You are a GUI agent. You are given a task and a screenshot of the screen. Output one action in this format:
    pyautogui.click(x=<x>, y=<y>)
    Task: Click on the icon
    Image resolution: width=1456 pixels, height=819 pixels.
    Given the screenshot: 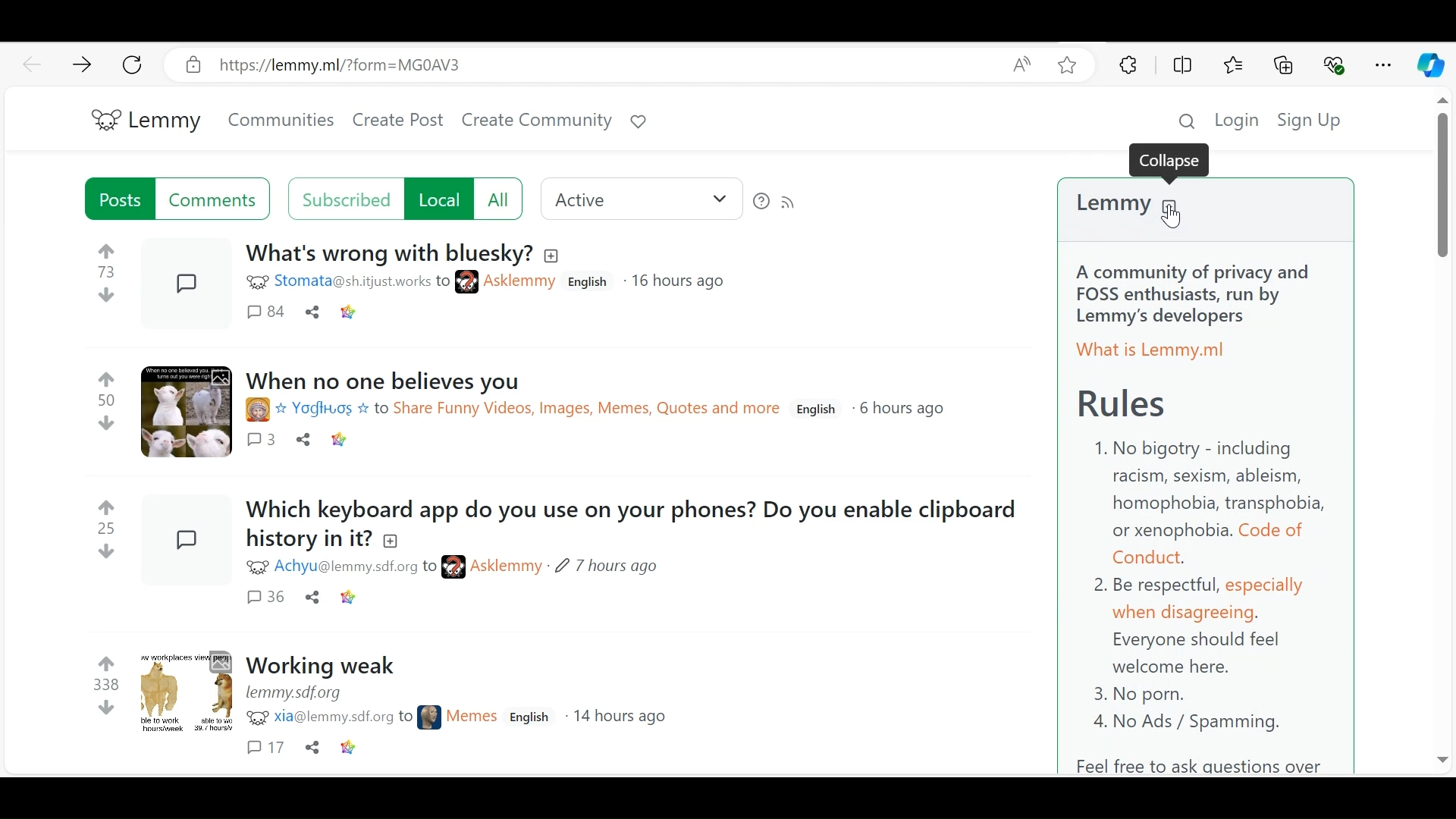 What is the action you would take?
    pyautogui.click(x=453, y=568)
    